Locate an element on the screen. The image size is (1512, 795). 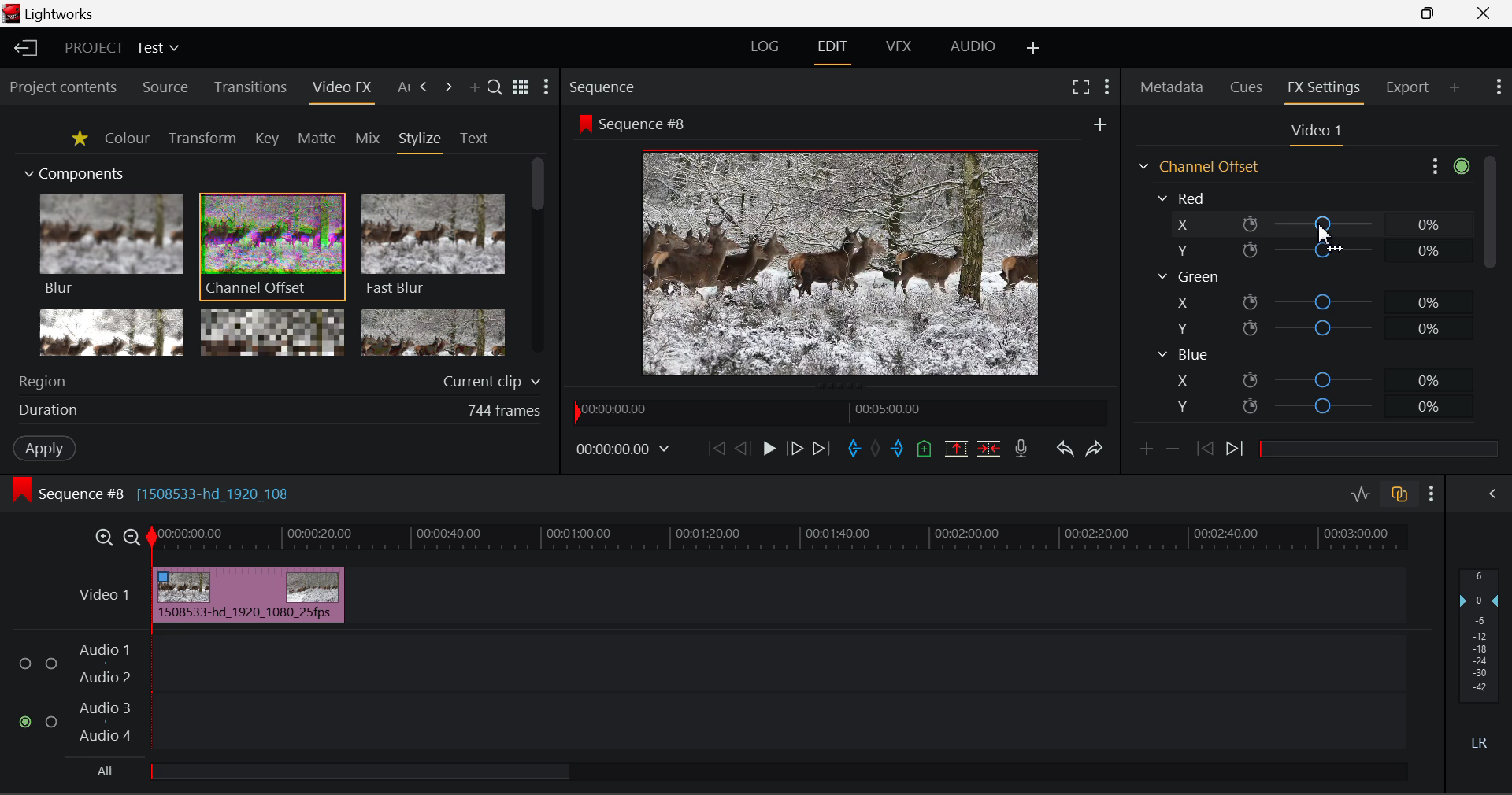
Scroll Bar is located at coordinates (535, 256).